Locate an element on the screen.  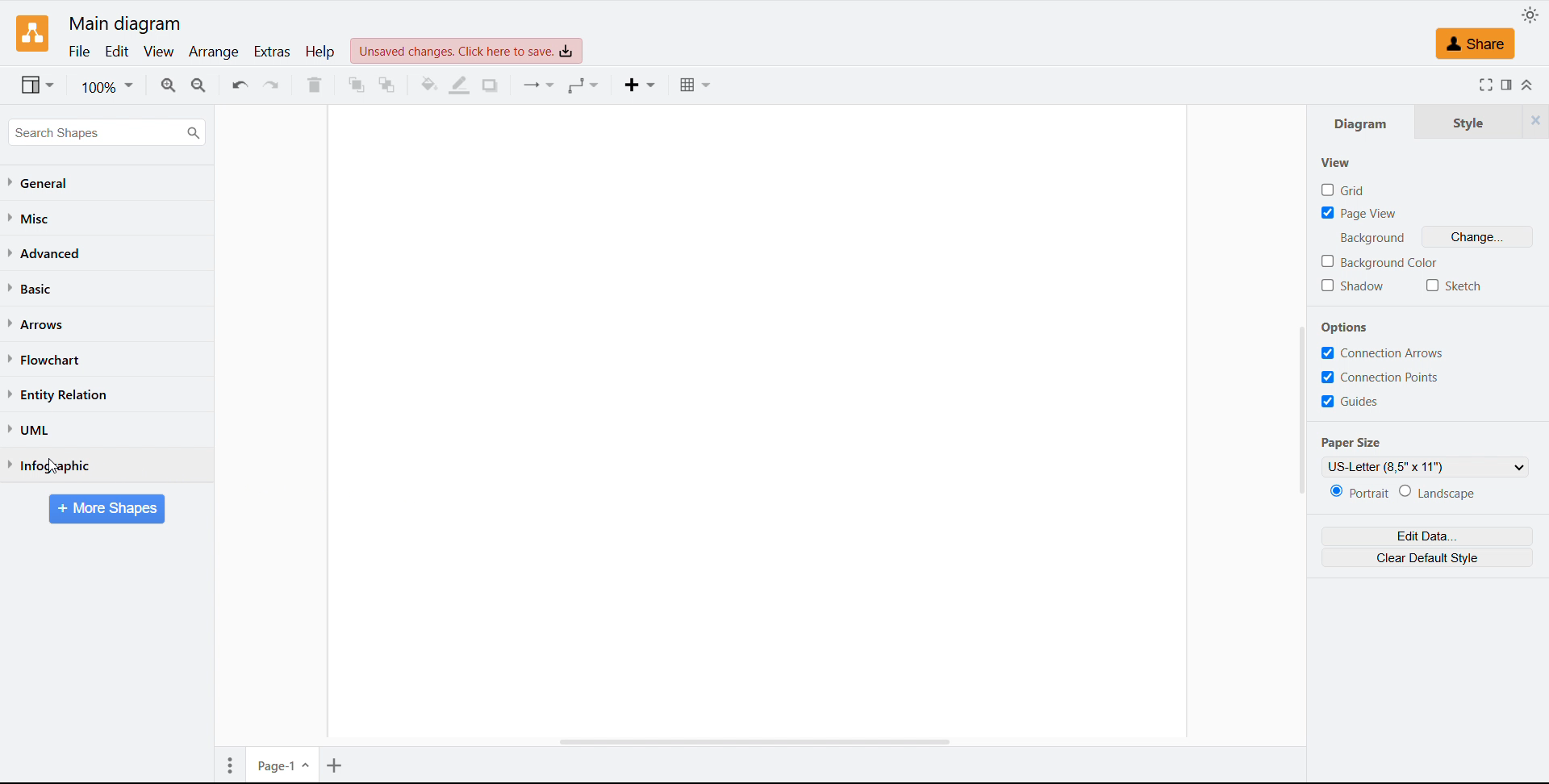
Options  is located at coordinates (1347, 327).